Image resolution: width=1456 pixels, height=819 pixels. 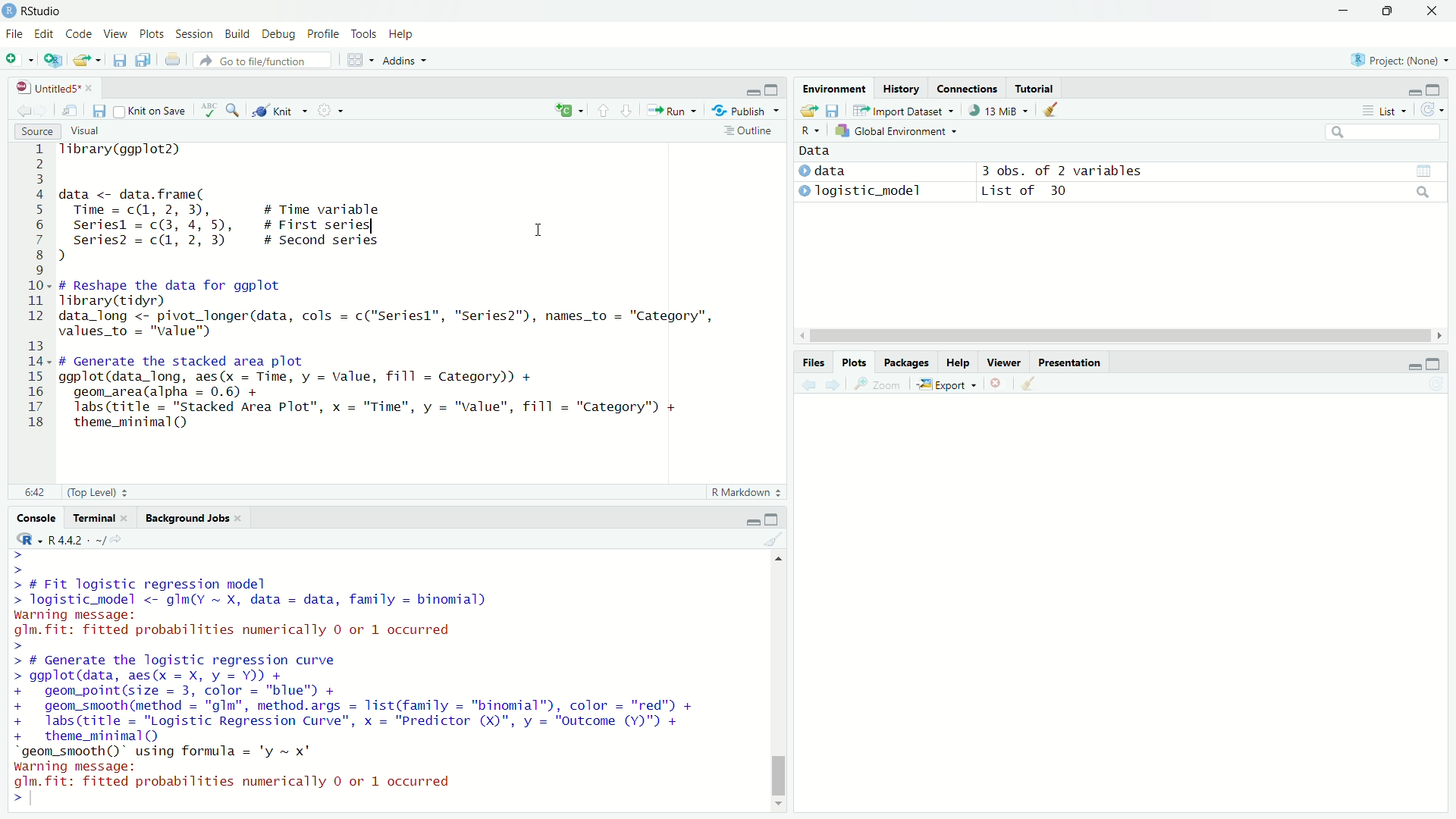 What do you see at coordinates (958, 362) in the screenshot?
I see `Help.` at bounding box center [958, 362].